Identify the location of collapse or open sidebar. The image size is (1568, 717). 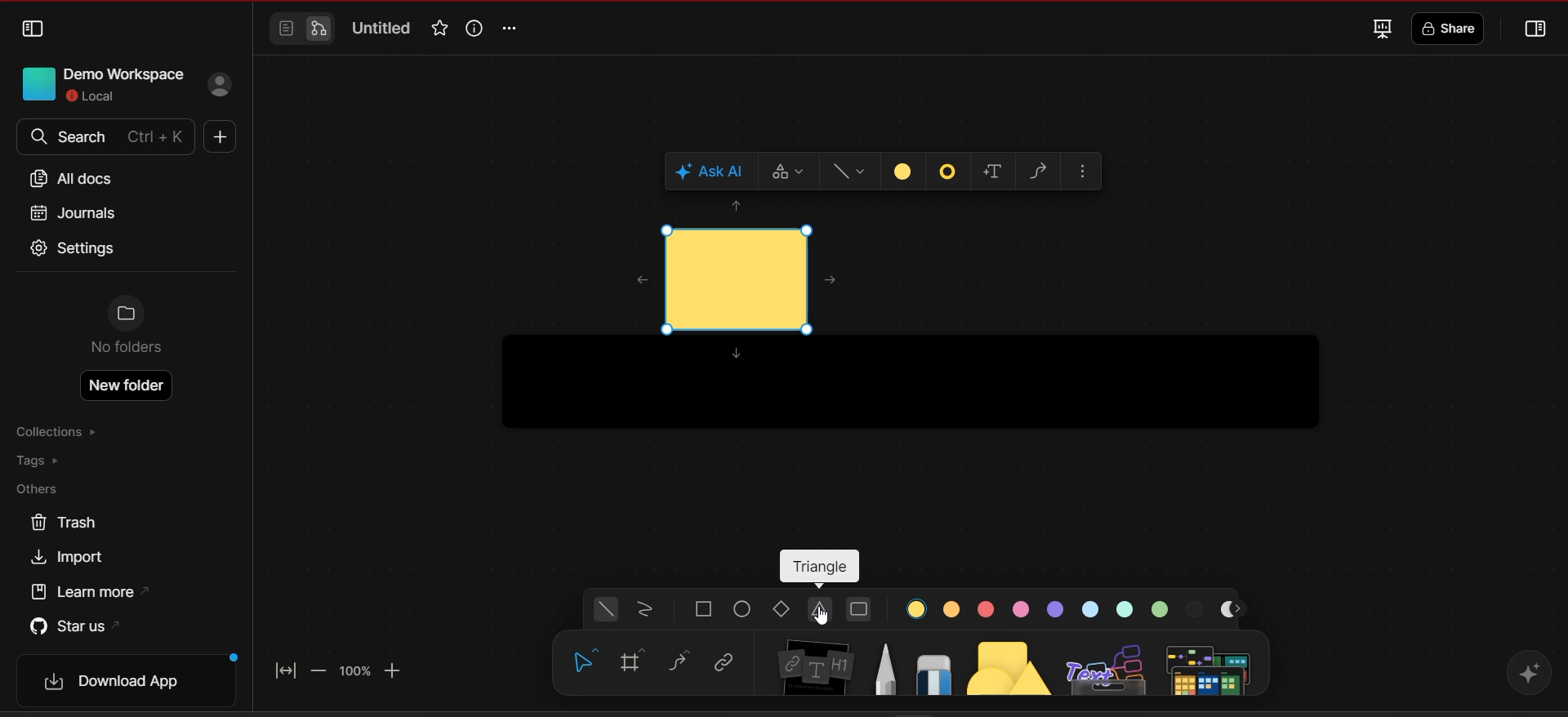
(1537, 30).